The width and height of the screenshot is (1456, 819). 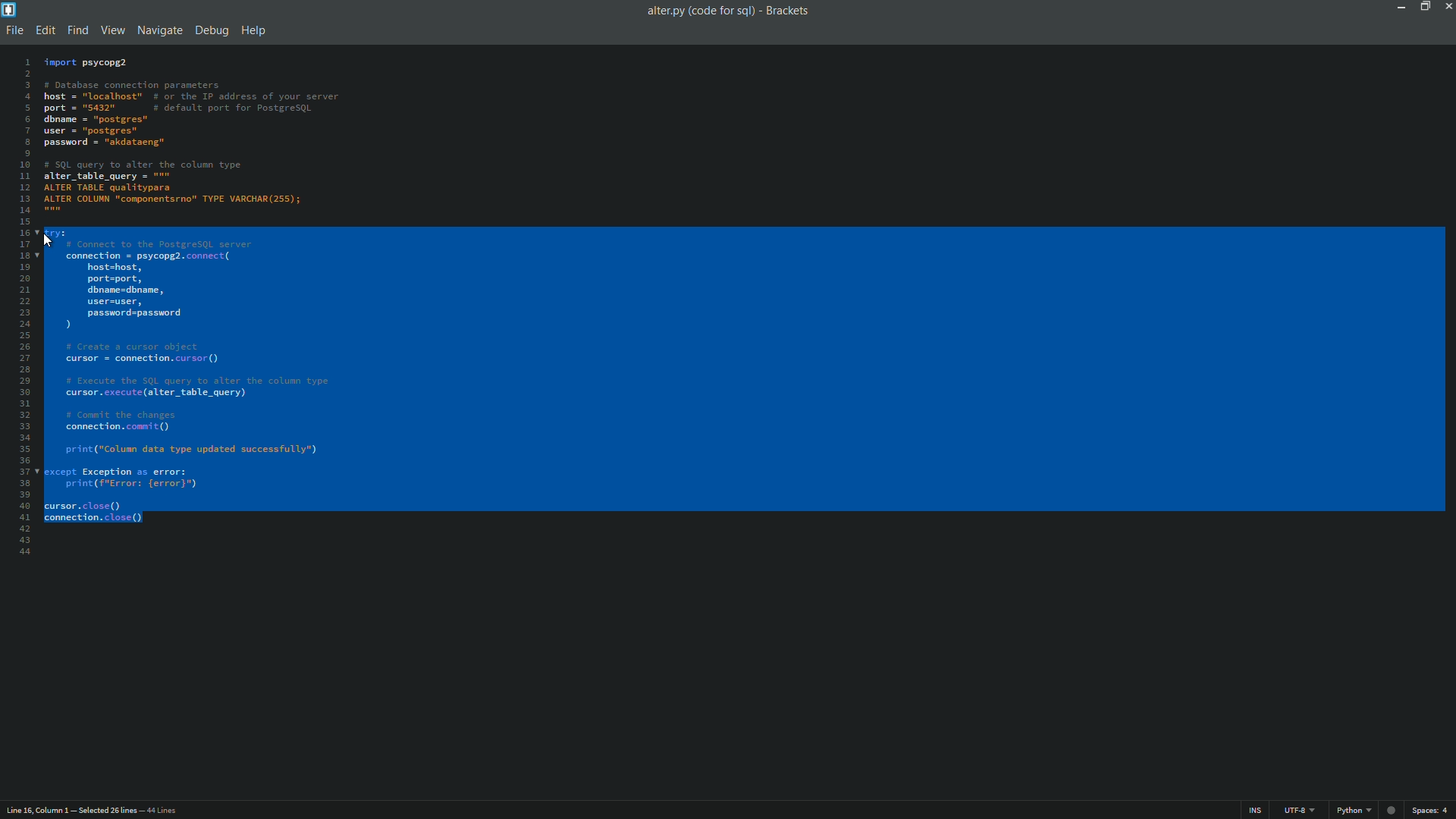 What do you see at coordinates (1367, 811) in the screenshot?
I see `file format` at bounding box center [1367, 811].